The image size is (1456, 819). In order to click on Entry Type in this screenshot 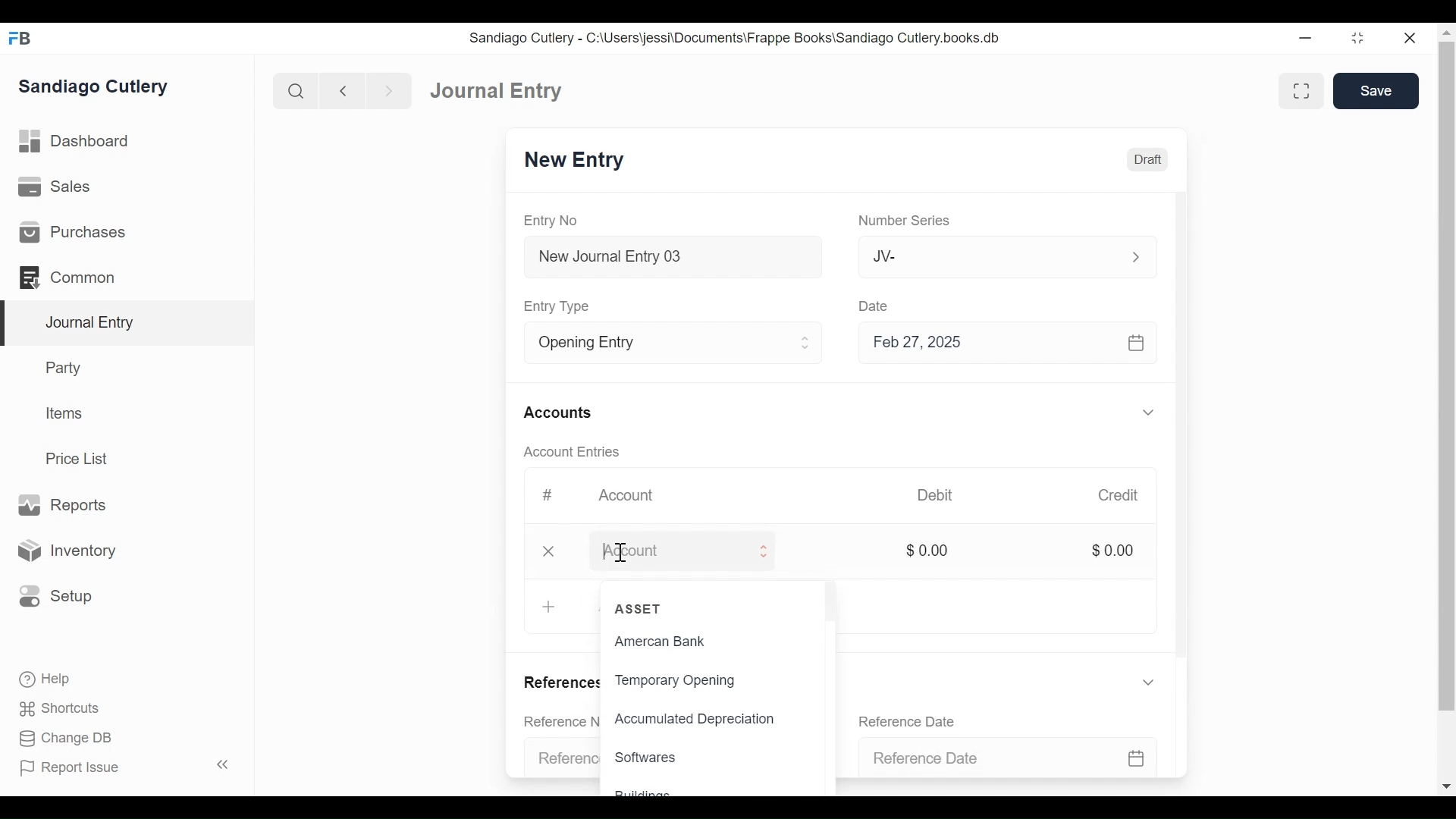, I will do `click(656, 343)`.